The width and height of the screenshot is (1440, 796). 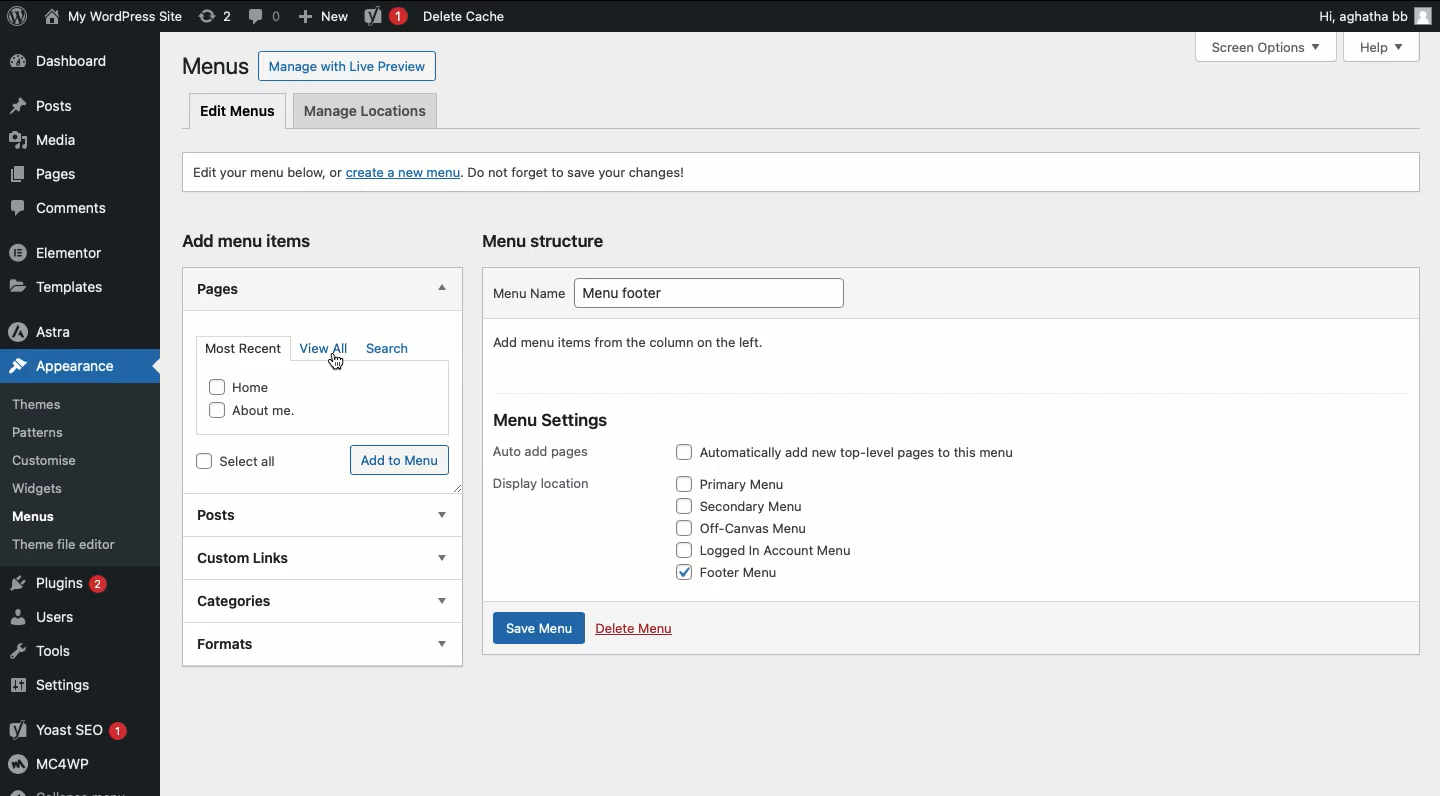 I want to click on  Yoast SEO , so click(x=78, y=731).